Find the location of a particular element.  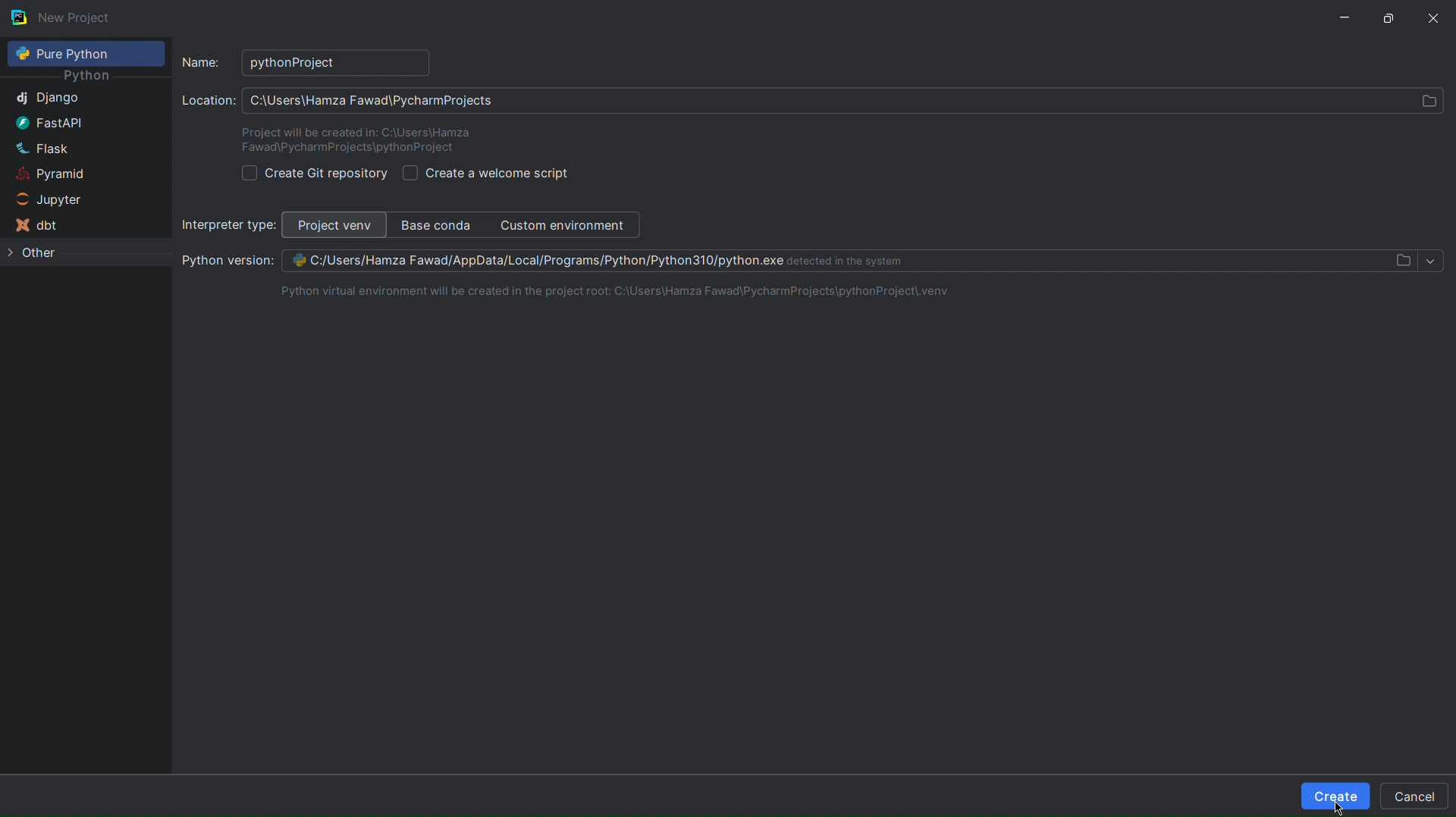

Cursor is located at coordinates (1343, 805).